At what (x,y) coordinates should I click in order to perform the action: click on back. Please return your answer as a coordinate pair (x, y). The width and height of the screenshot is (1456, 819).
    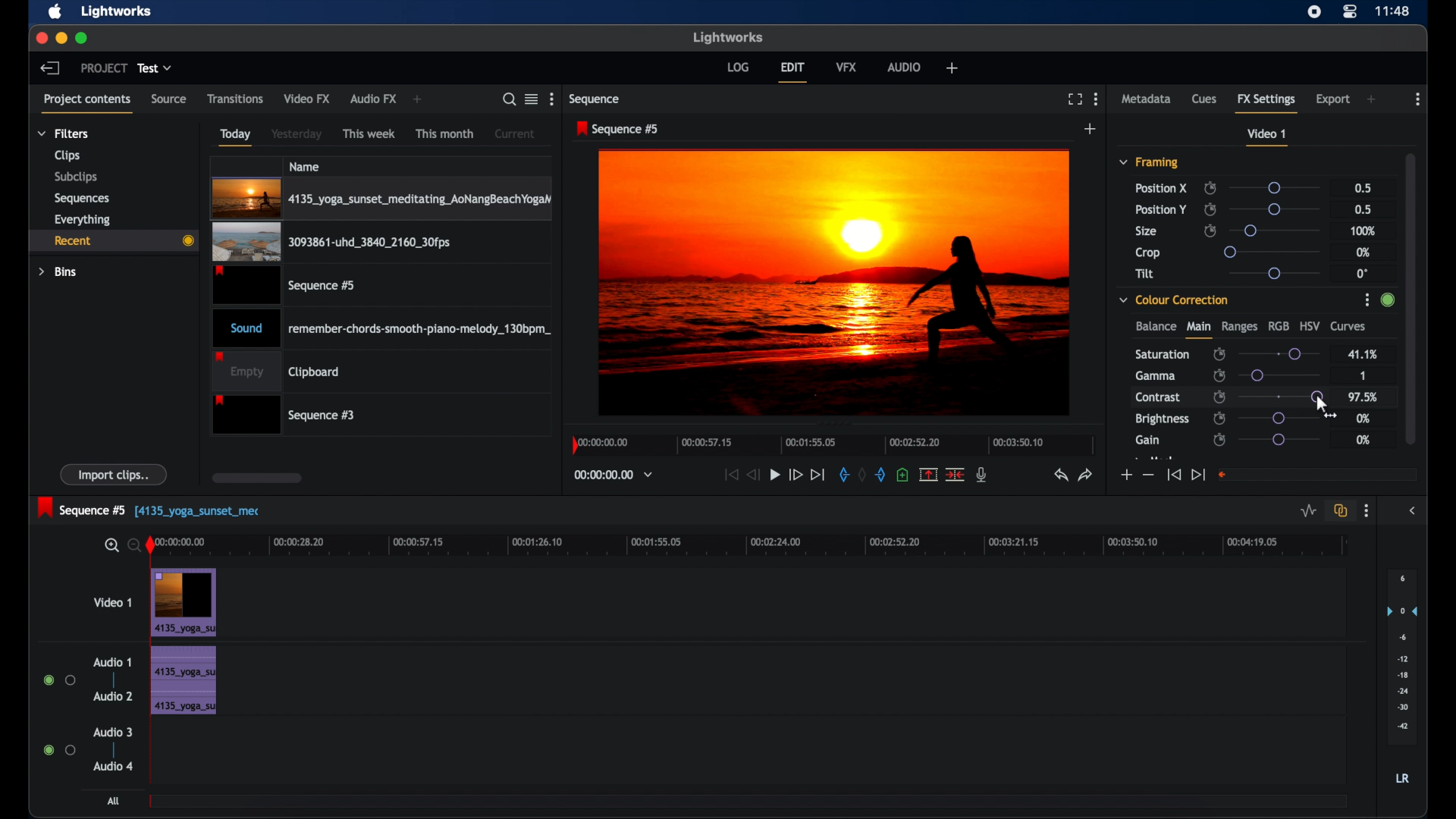
    Looking at the image, I should click on (50, 67).